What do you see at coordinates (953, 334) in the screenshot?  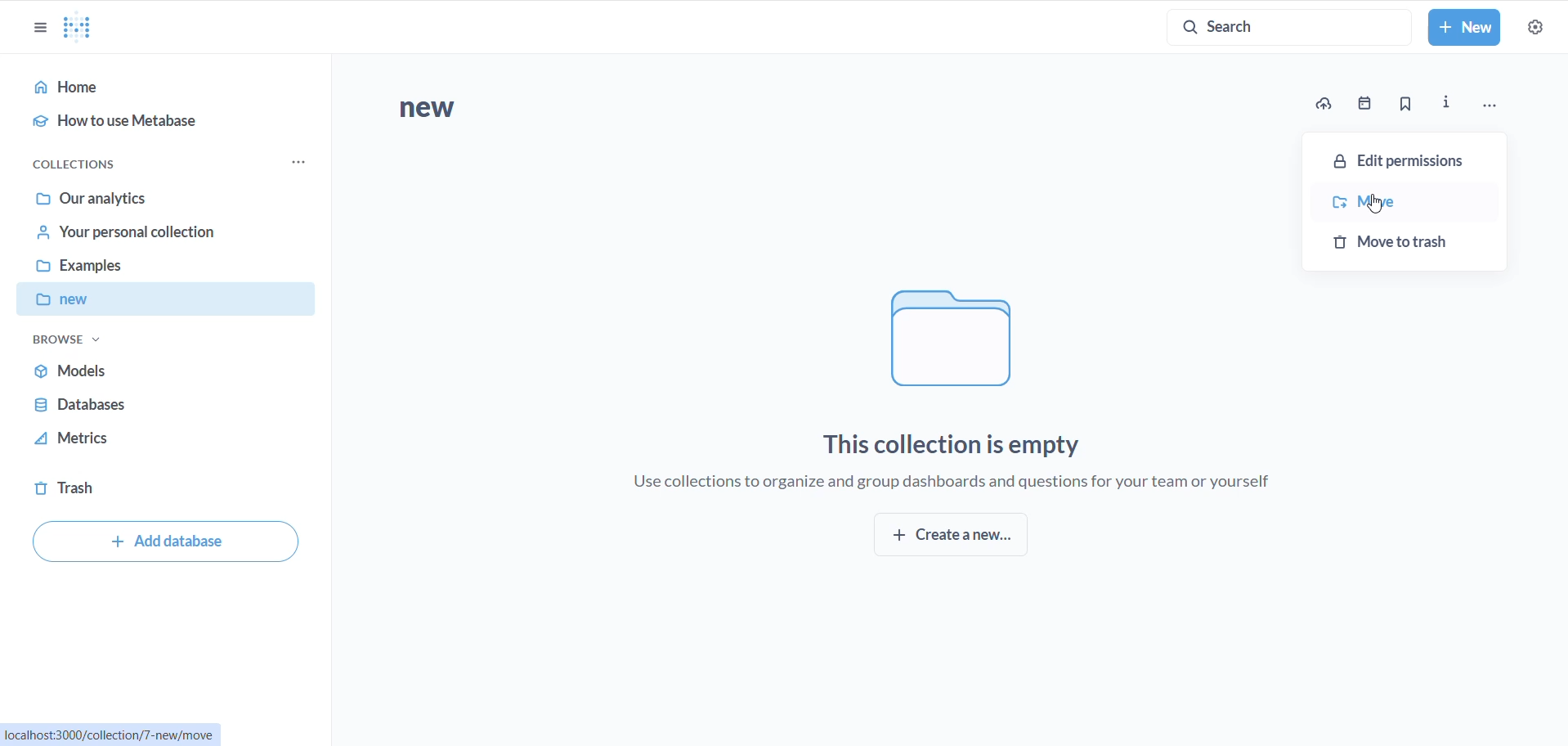 I see `folder logo` at bounding box center [953, 334].